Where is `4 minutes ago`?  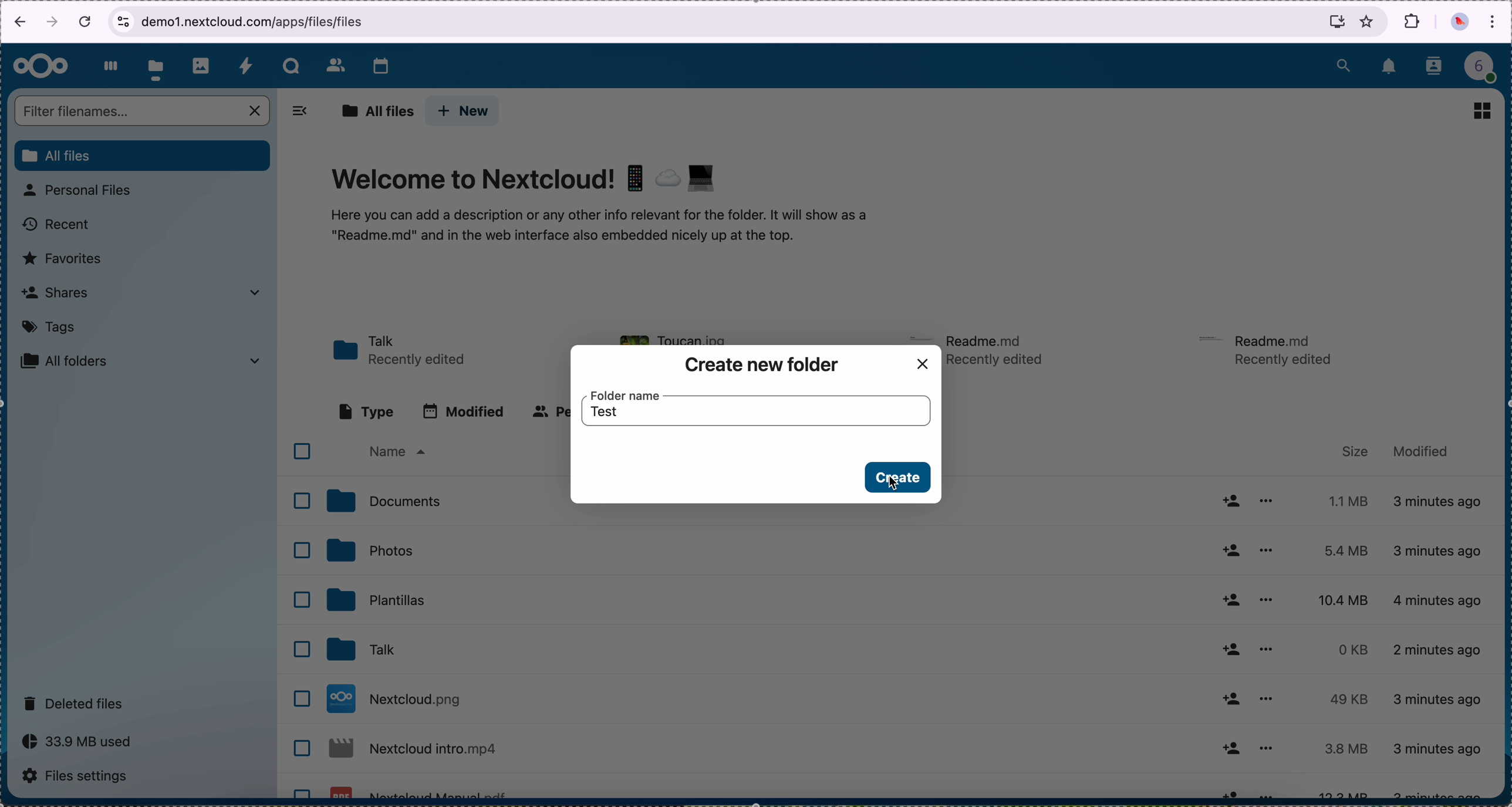 4 minutes ago is located at coordinates (1444, 698).